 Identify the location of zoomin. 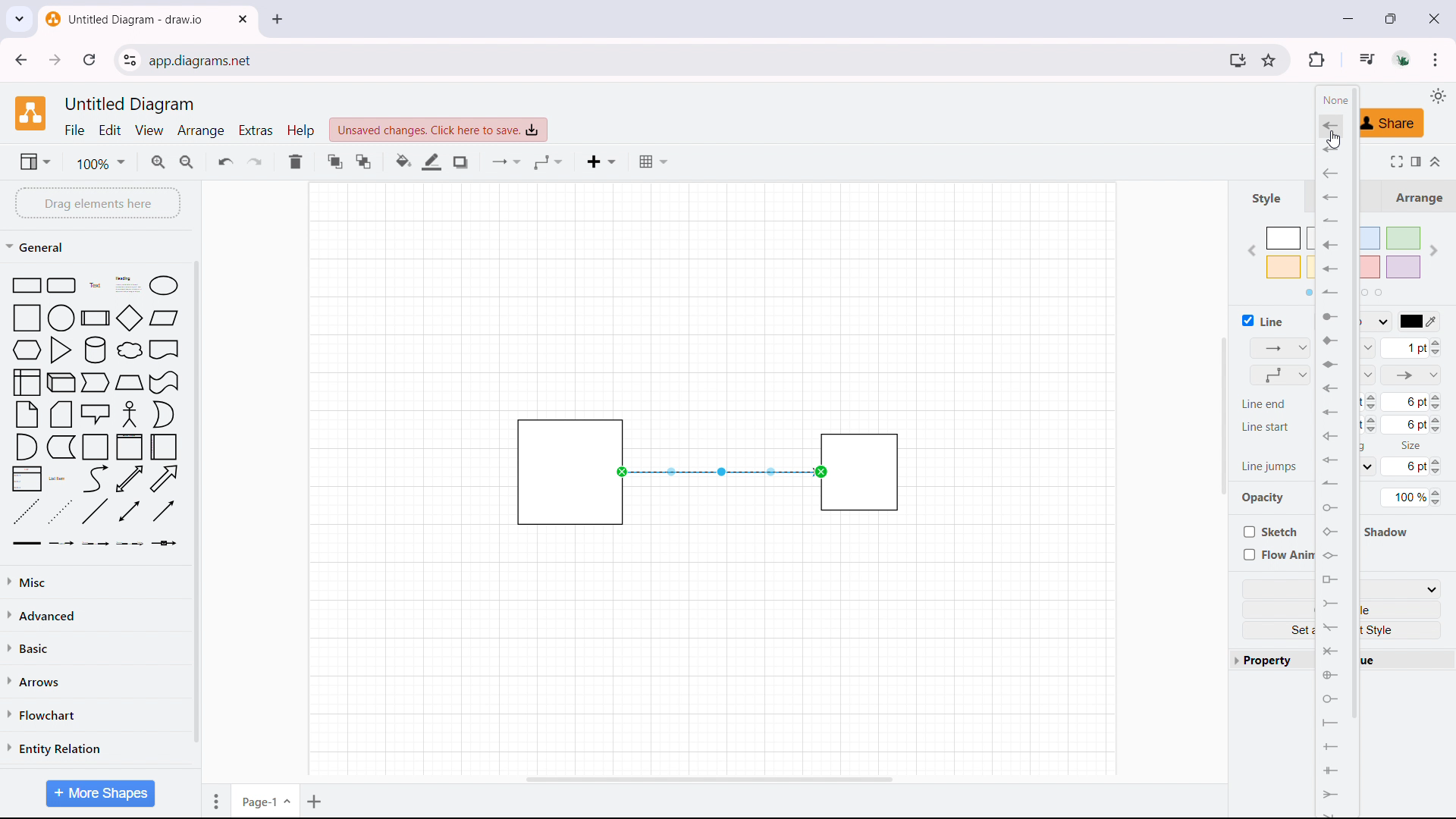
(159, 162).